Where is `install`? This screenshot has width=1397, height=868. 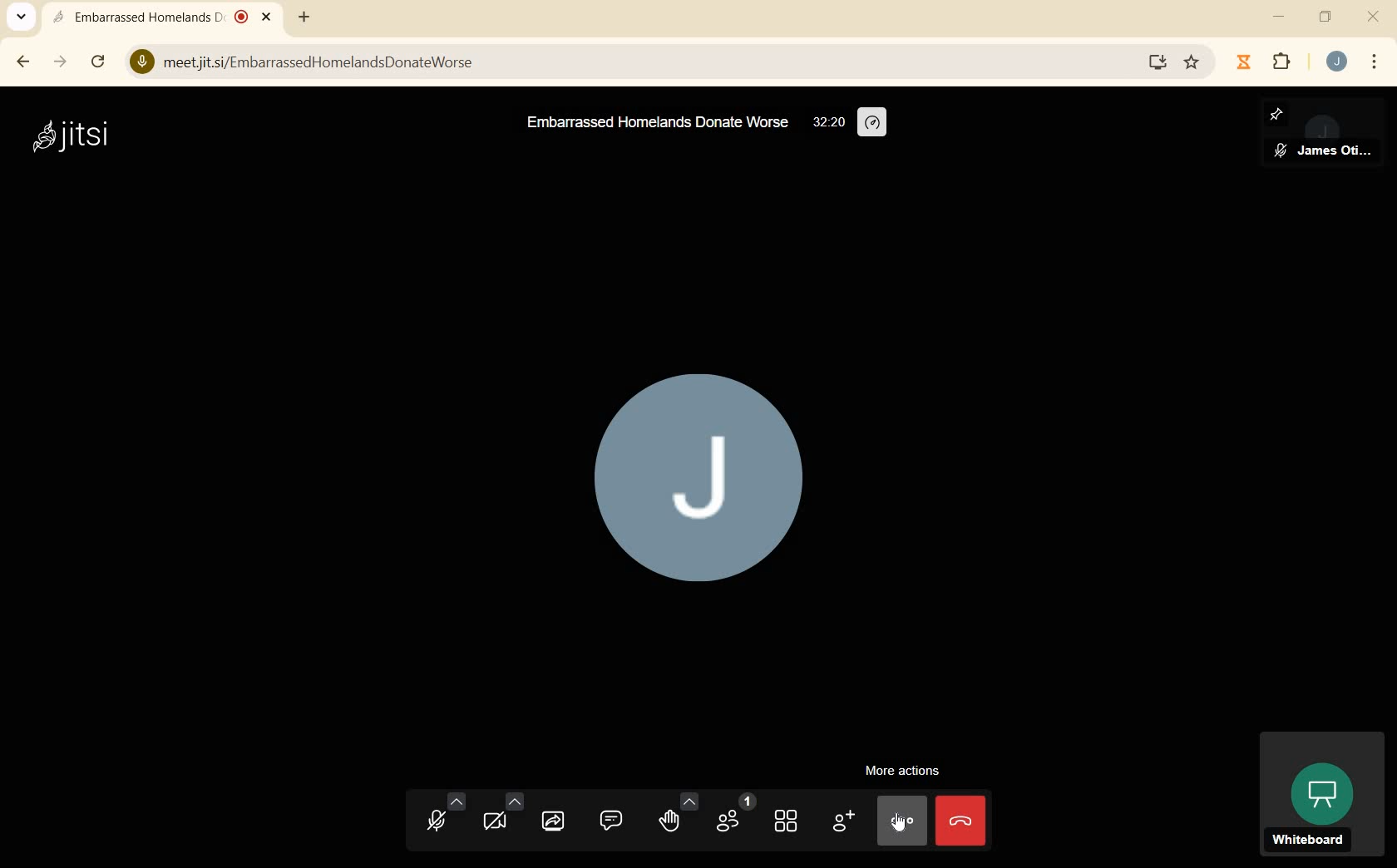 install is located at coordinates (1158, 62).